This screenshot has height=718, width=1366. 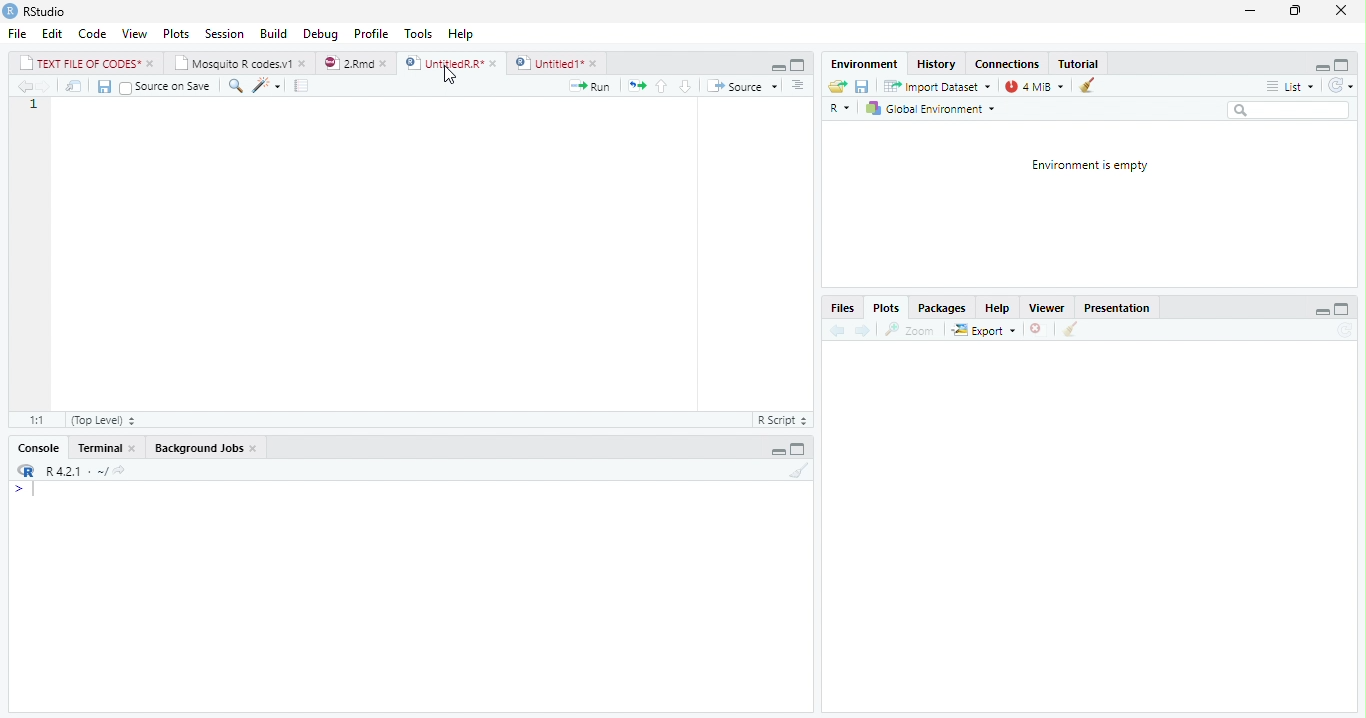 I want to click on Presentation, so click(x=1121, y=308).